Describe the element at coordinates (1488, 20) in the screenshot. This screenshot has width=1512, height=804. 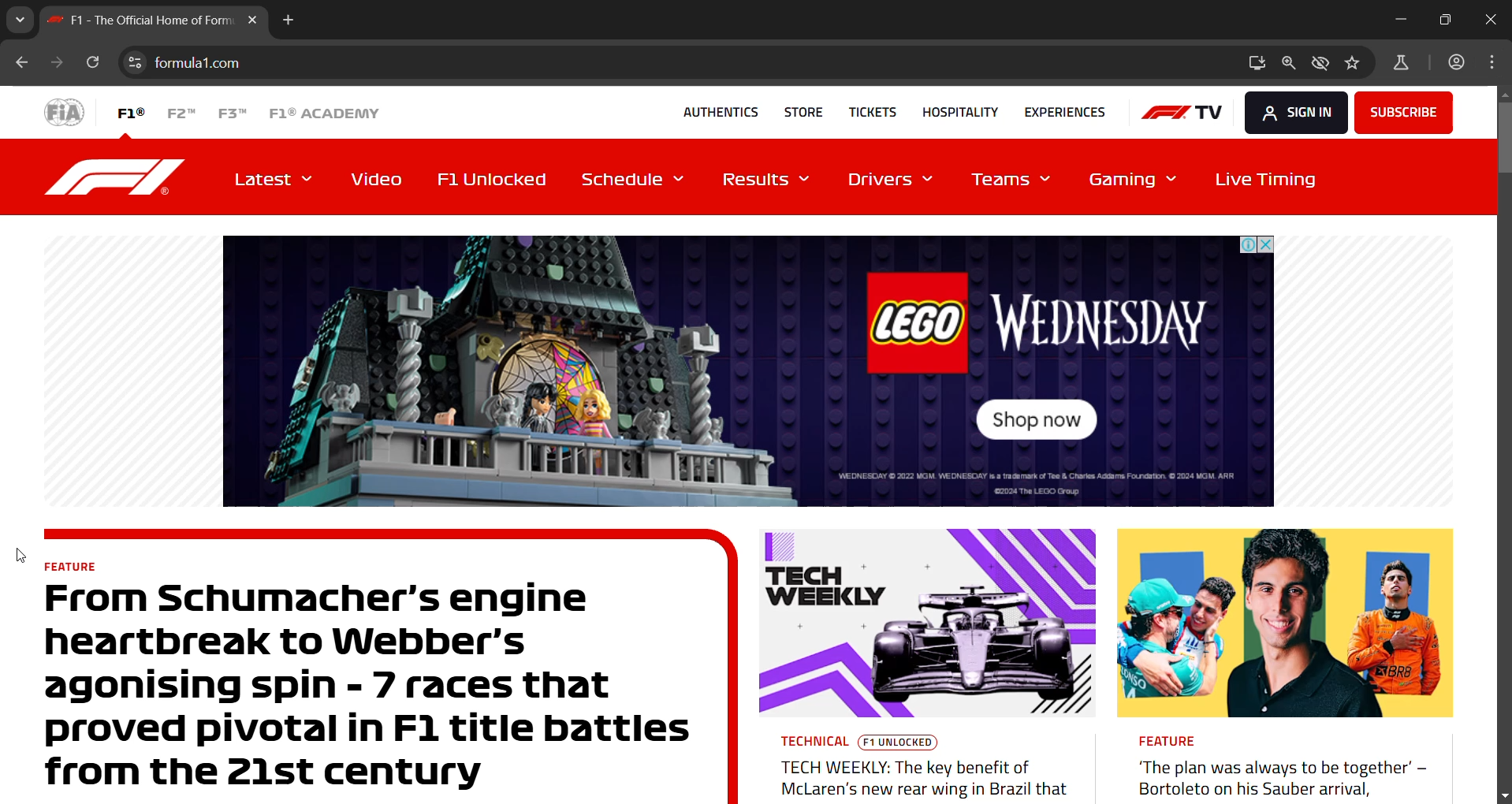
I see `close` at that location.